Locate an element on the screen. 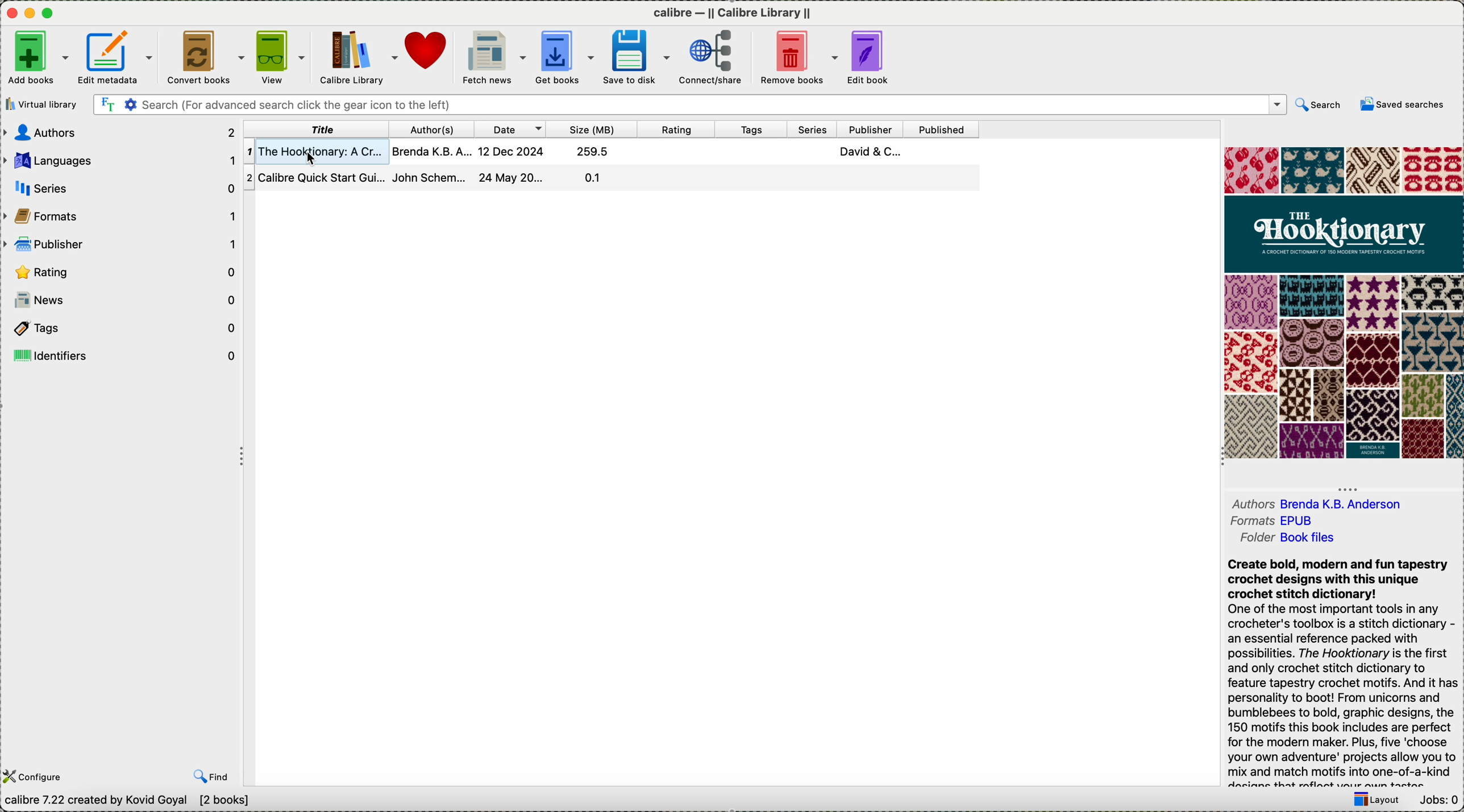  tags is located at coordinates (120, 327).